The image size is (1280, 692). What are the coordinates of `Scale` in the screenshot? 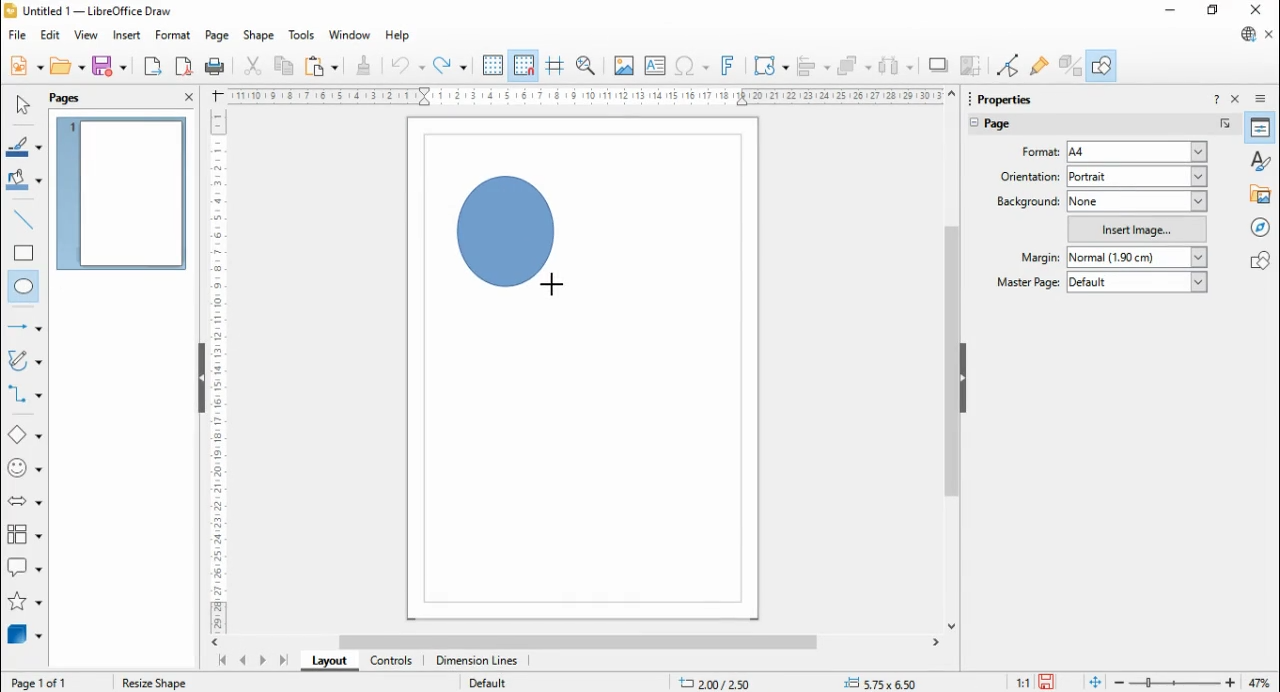 It's located at (585, 96).